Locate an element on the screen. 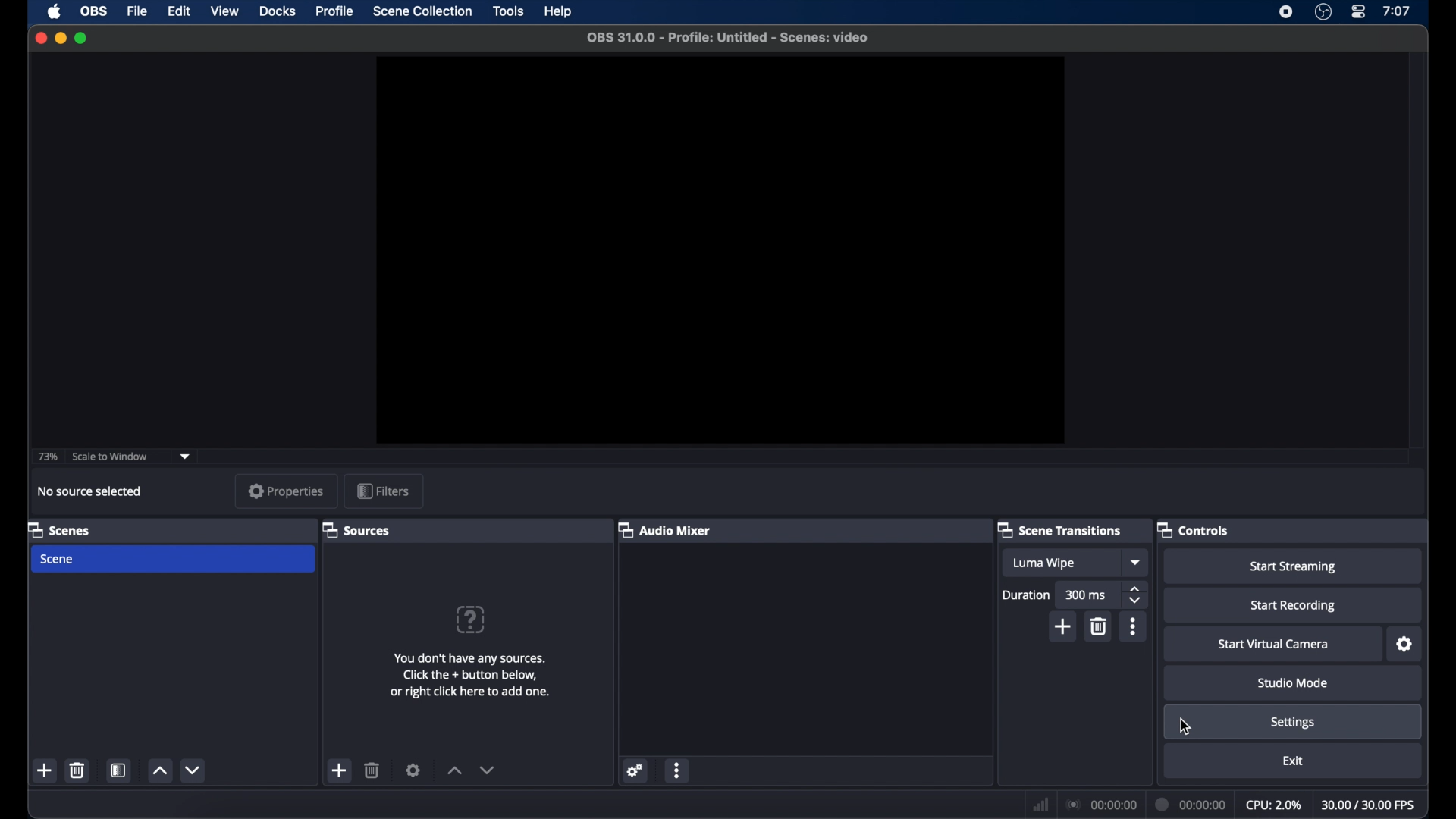 This screenshot has height=819, width=1456. settings is located at coordinates (1293, 723).